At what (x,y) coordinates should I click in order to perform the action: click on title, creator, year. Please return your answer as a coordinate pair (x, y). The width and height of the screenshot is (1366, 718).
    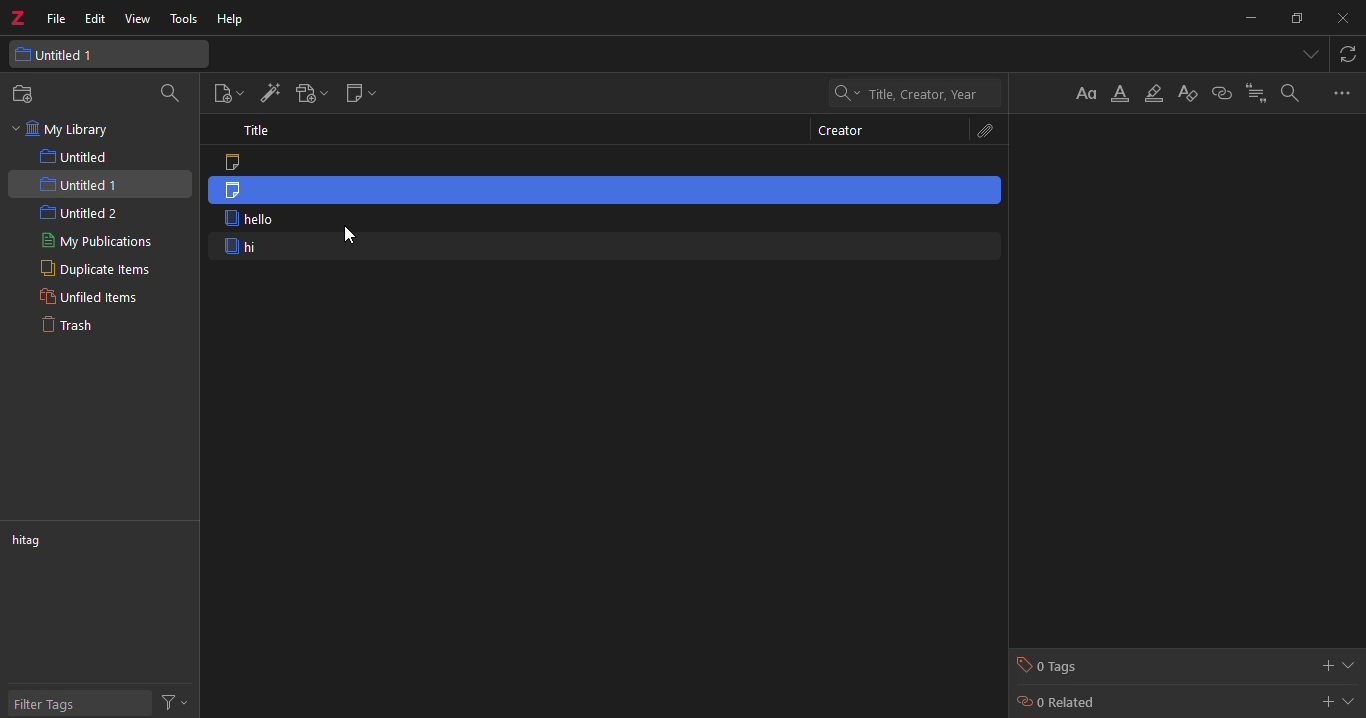
    Looking at the image, I should click on (920, 95).